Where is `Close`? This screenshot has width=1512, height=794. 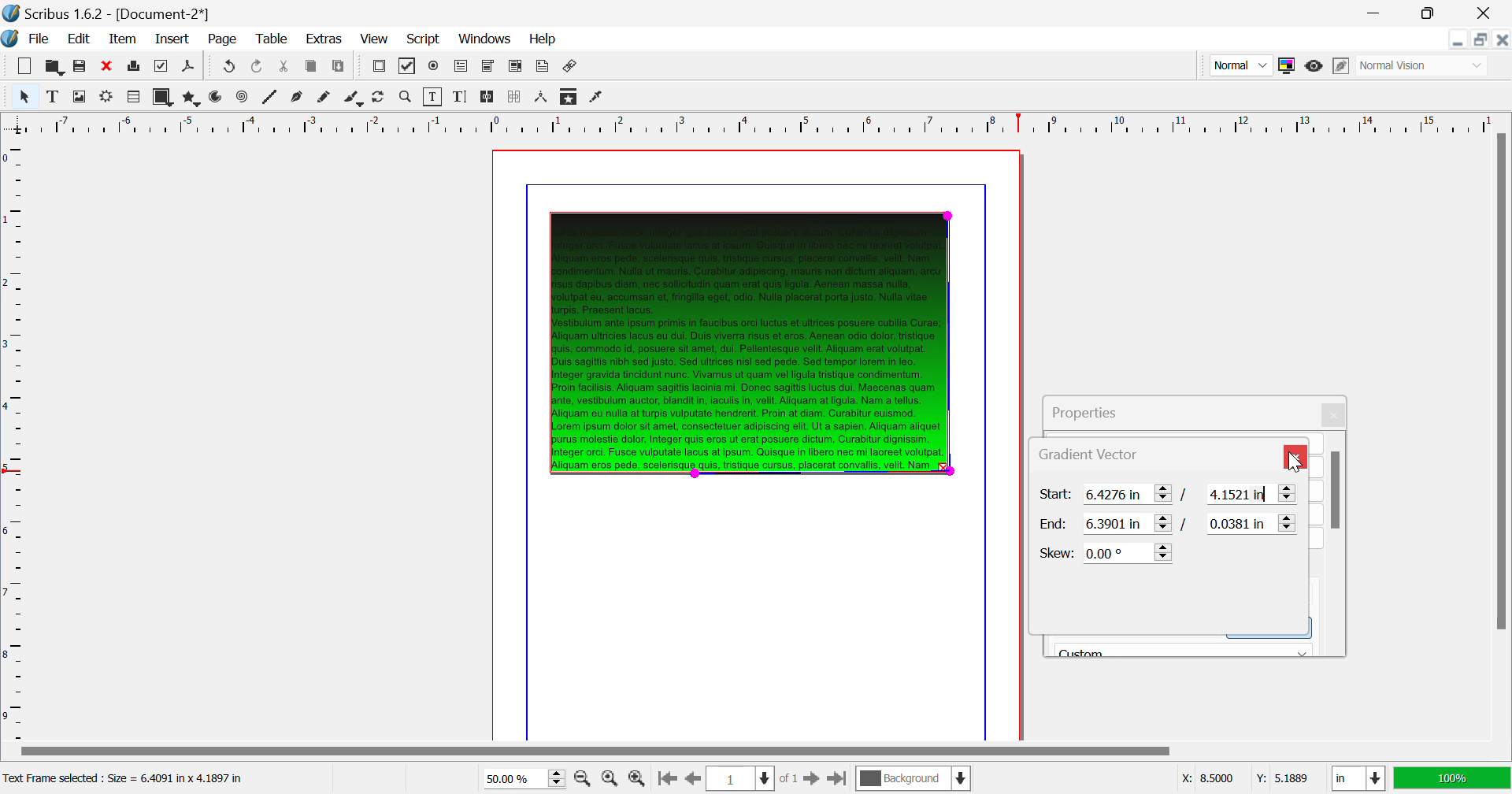 Close is located at coordinates (1298, 457).